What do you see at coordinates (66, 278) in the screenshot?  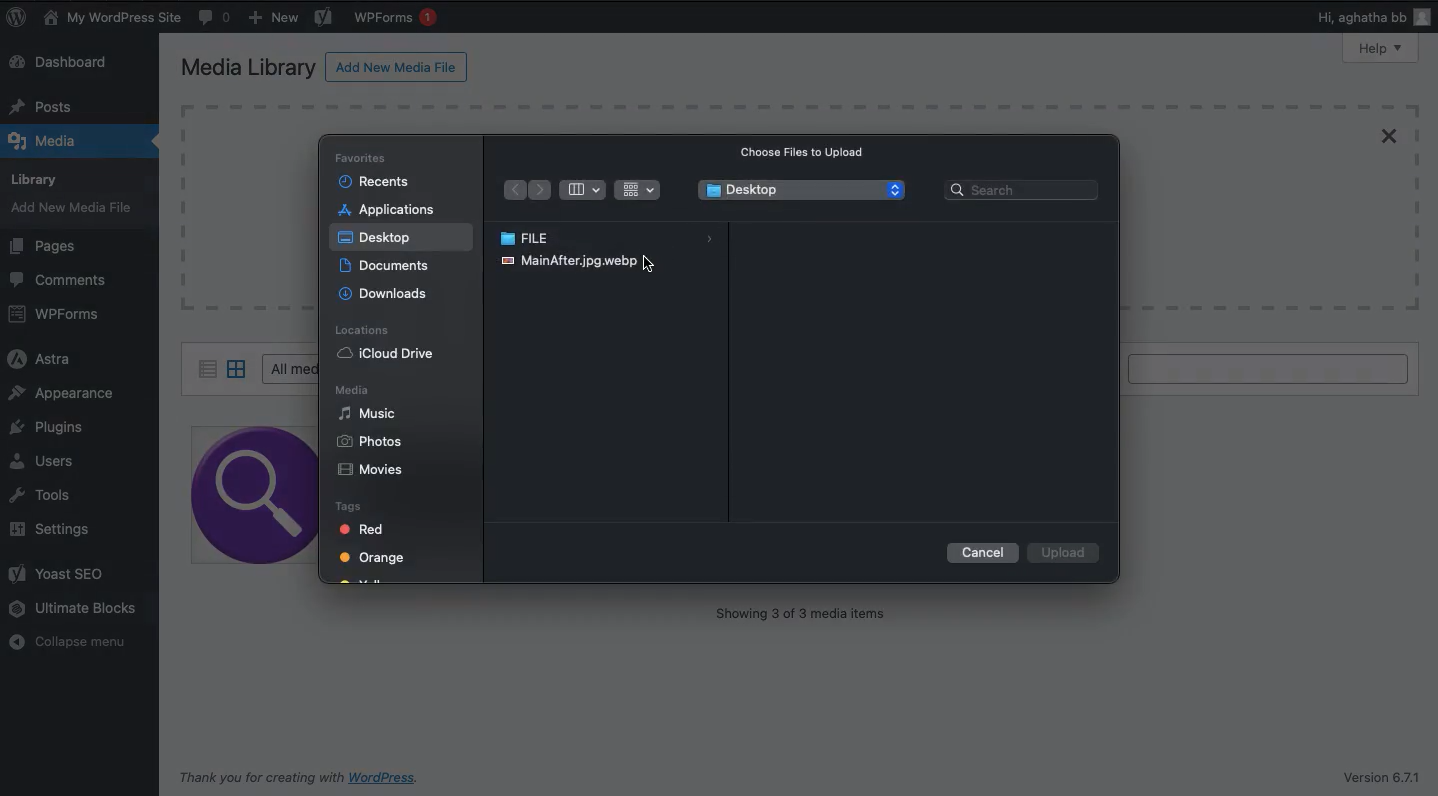 I see `Comments` at bounding box center [66, 278].